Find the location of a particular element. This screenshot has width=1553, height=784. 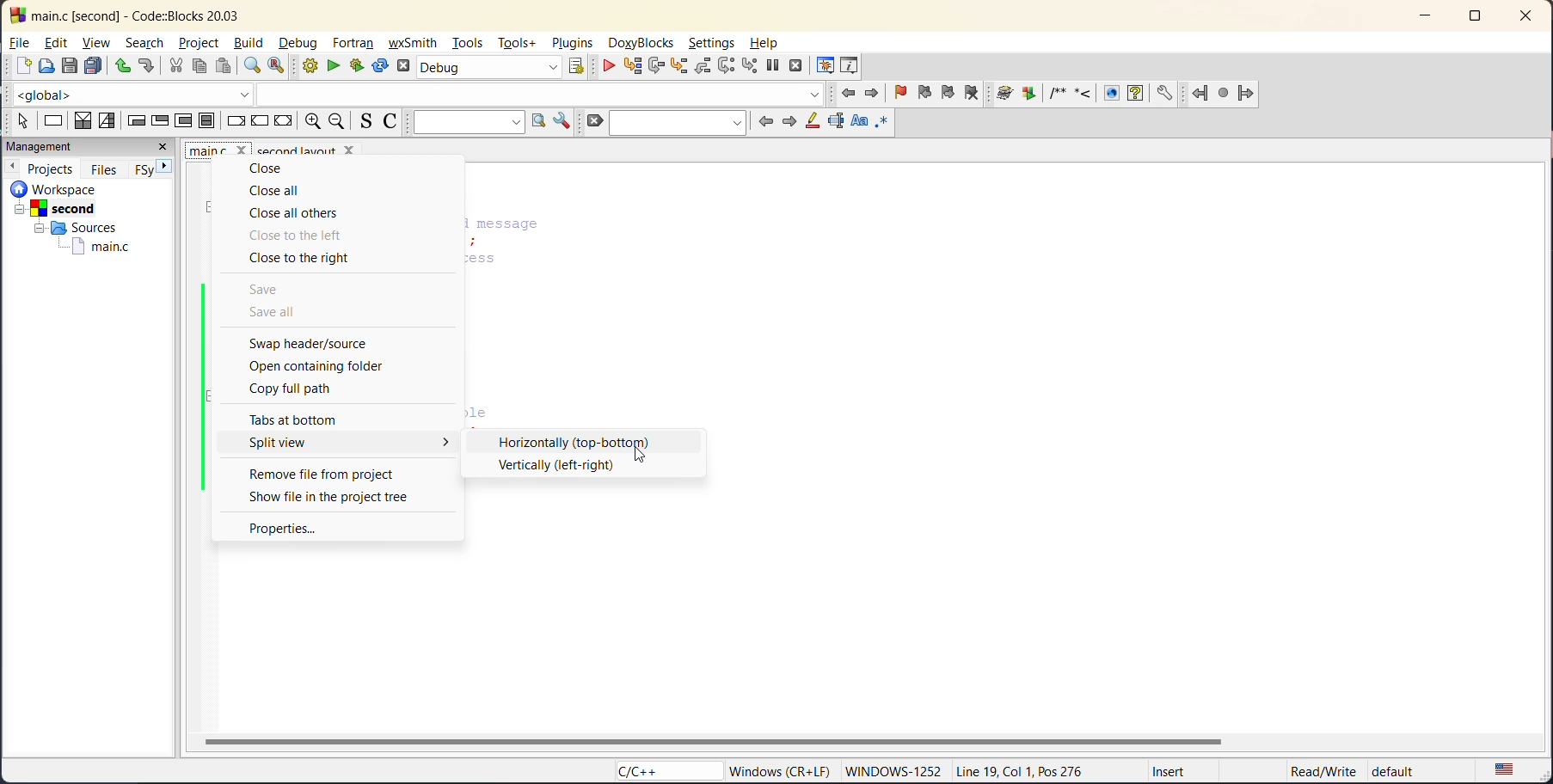

selection is located at coordinates (107, 121).